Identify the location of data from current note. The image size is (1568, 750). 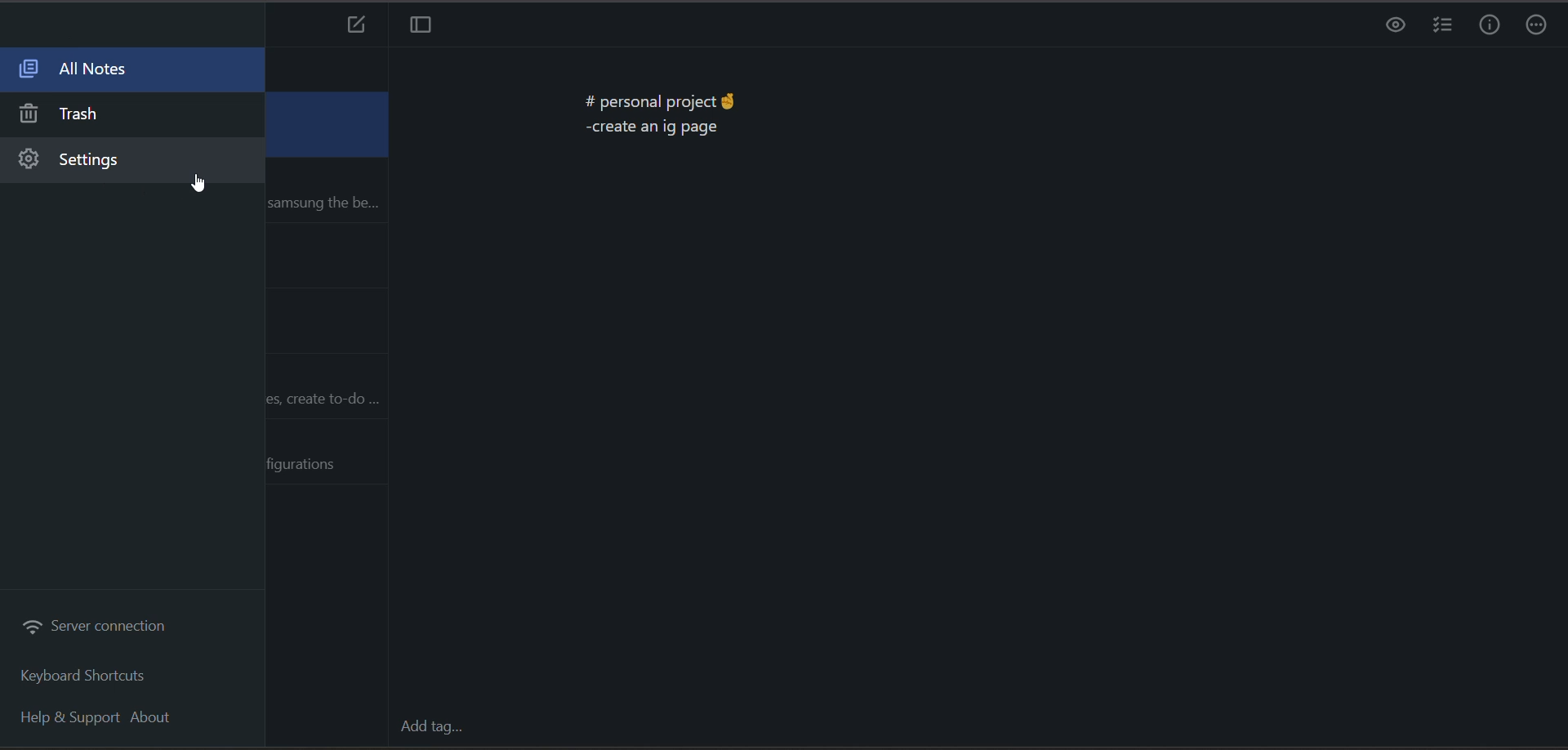
(659, 109).